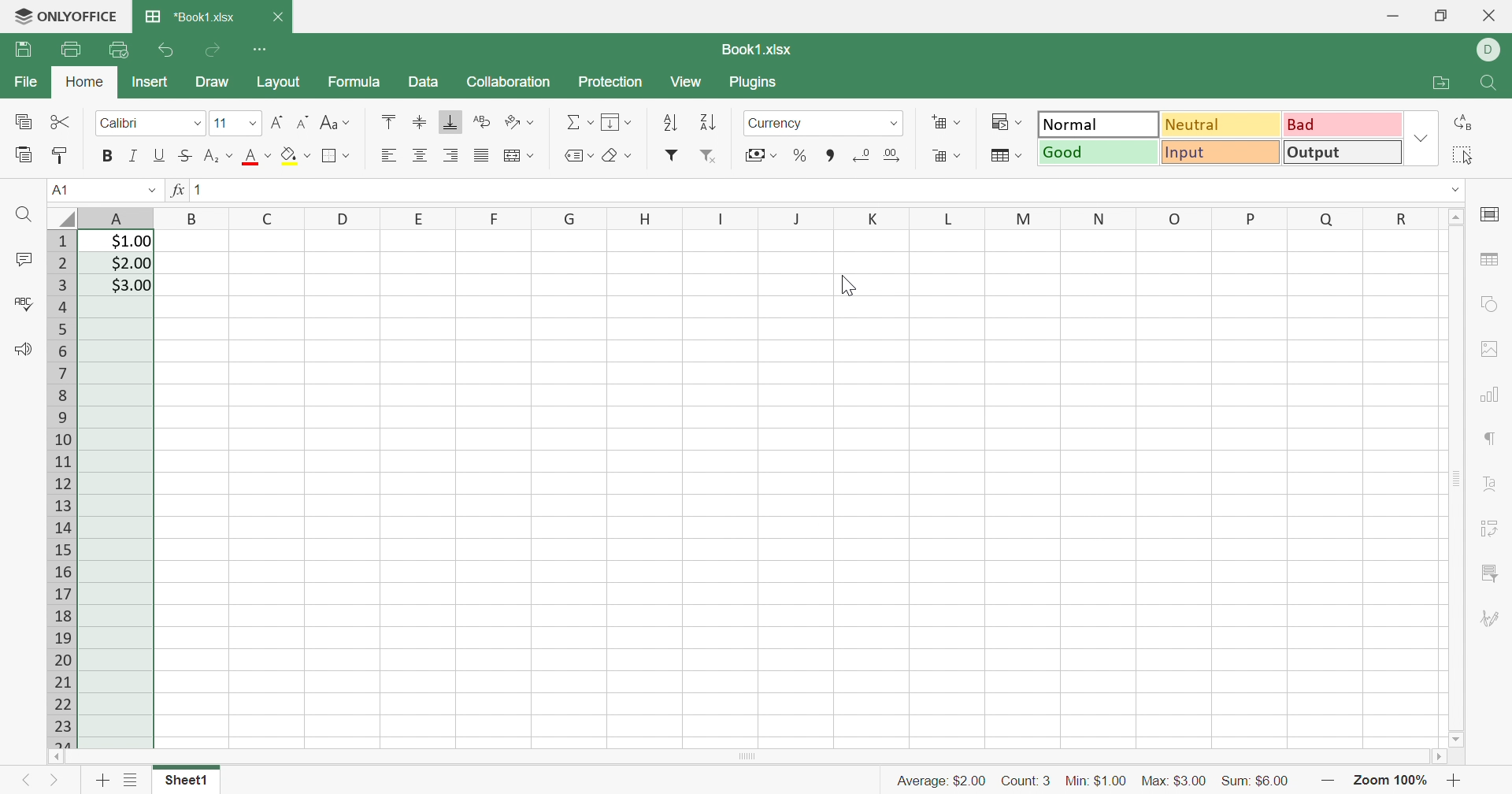 The image size is (1512, 794). Describe the element at coordinates (1491, 397) in the screenshot. I see `Chart settings` at that location.